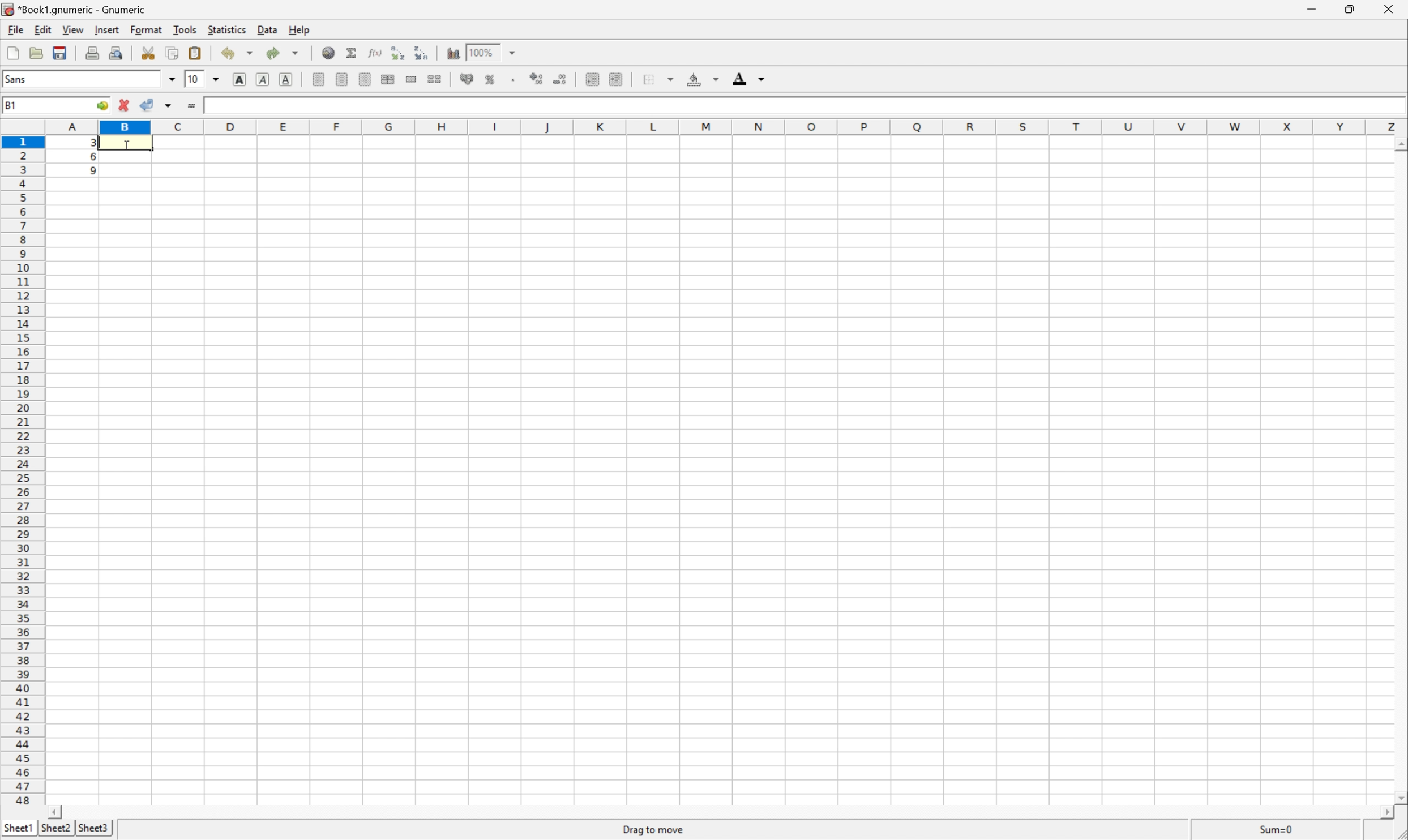  What do you see at coordinates (262, 79) in the screenshot?
I see `Italic` at bounding box center [262, 79].